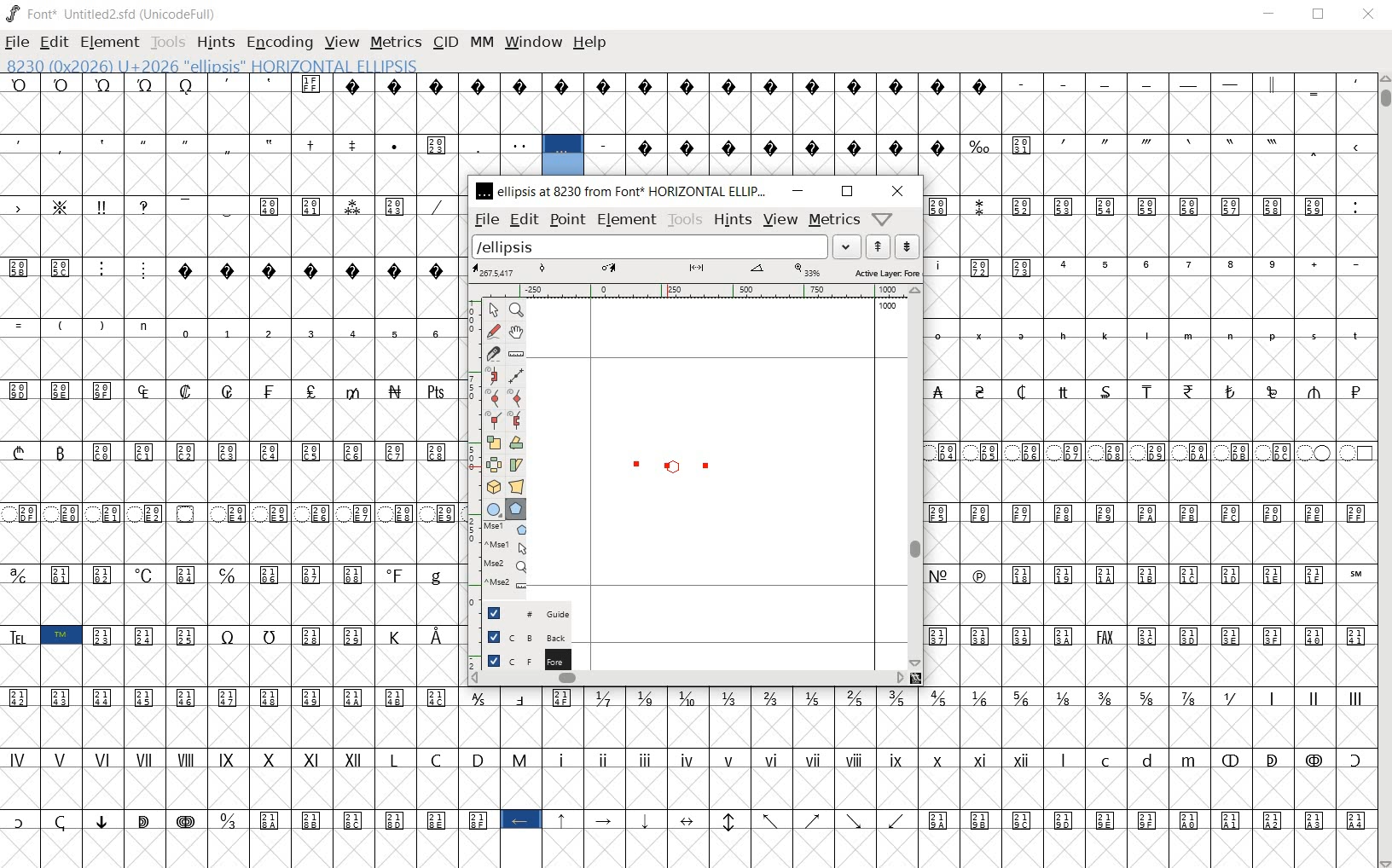 The height and width of the screenshot is (868, 1392). Describe the element at coordinates (732, 219) in the screenshot. I see `hints` at that location.